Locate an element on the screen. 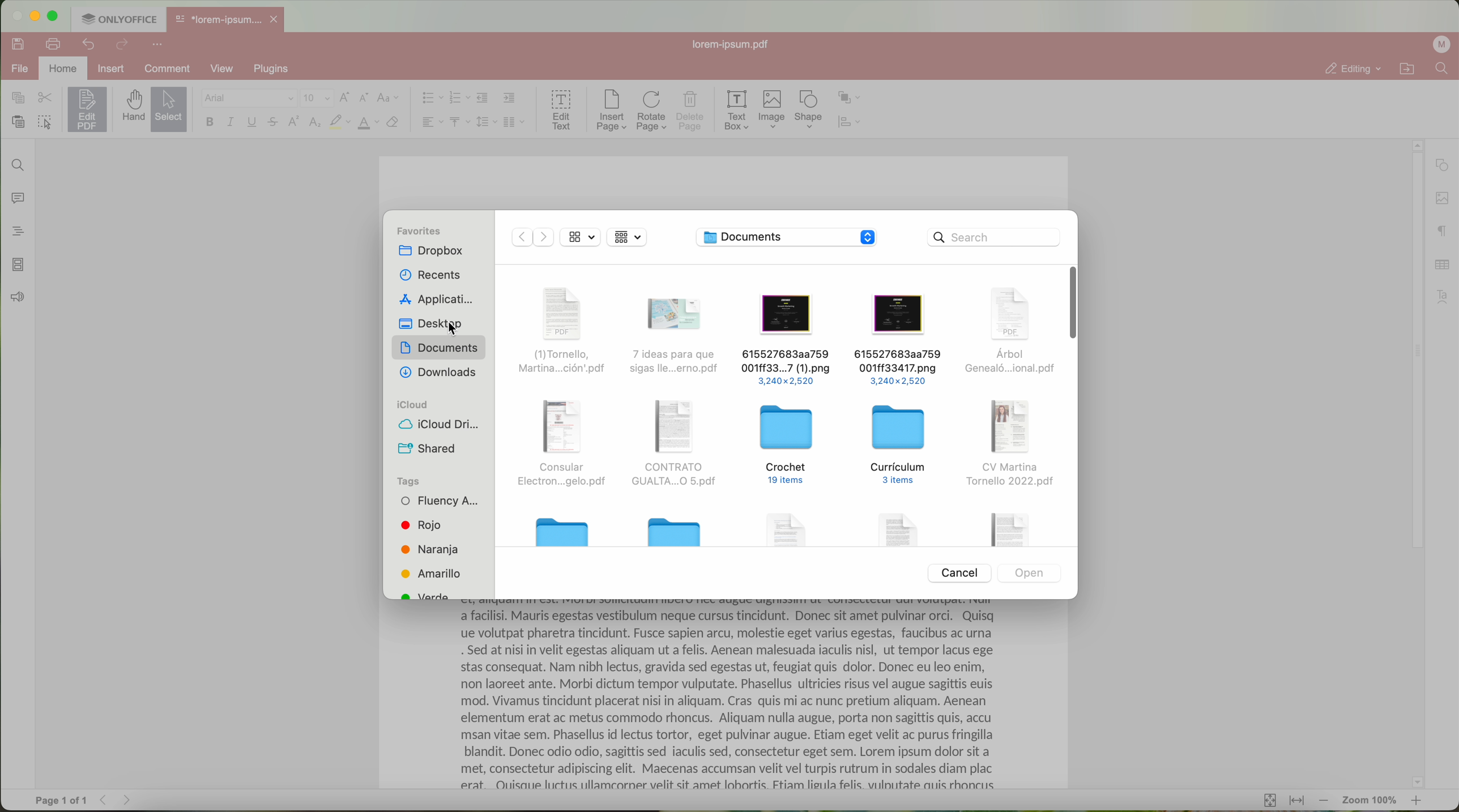 The image size is (1459, 812). Naranja is located at coordinates (430, 549).